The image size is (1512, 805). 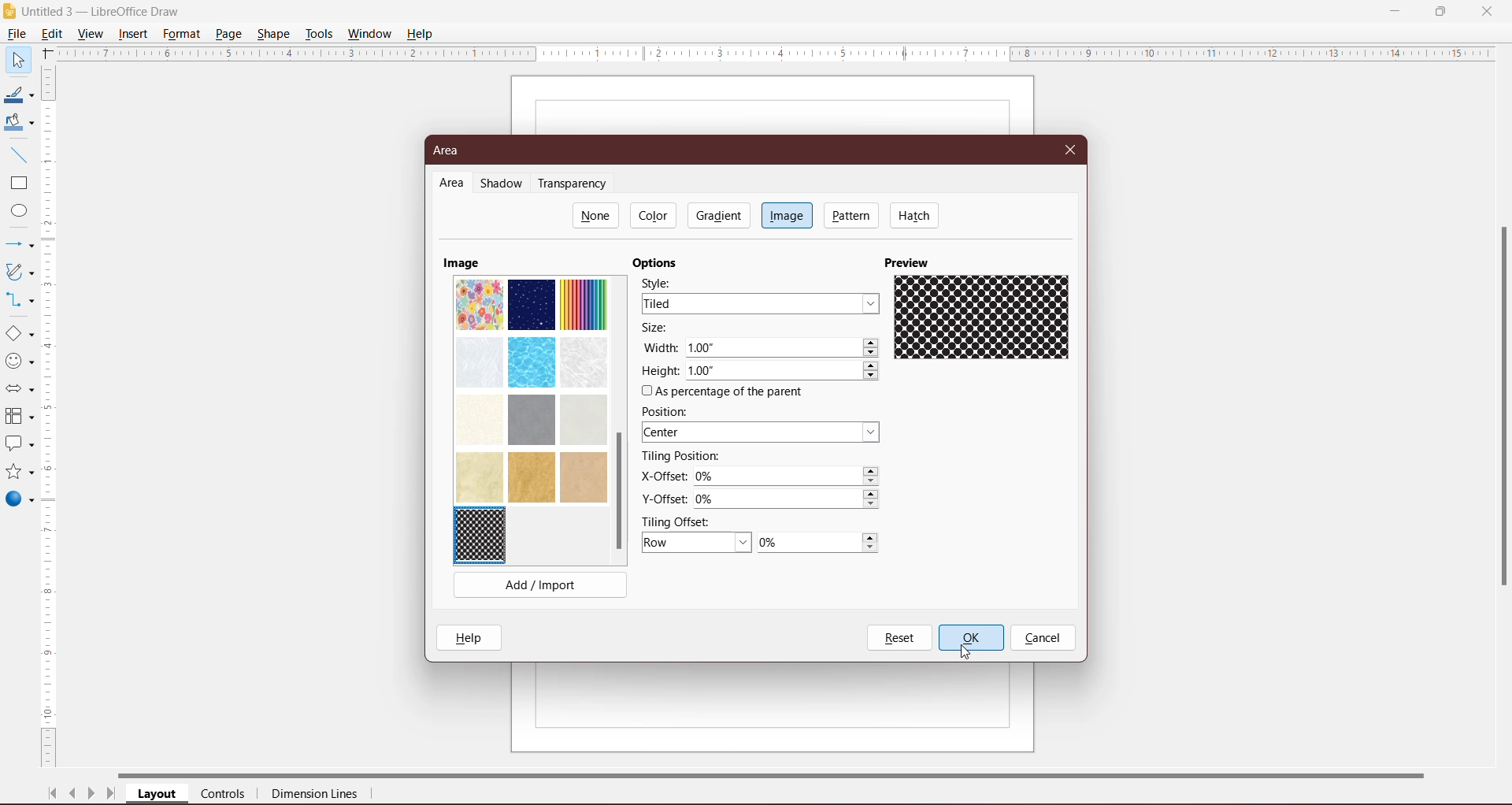 I want to click on Area, so click(x=452, y=184).